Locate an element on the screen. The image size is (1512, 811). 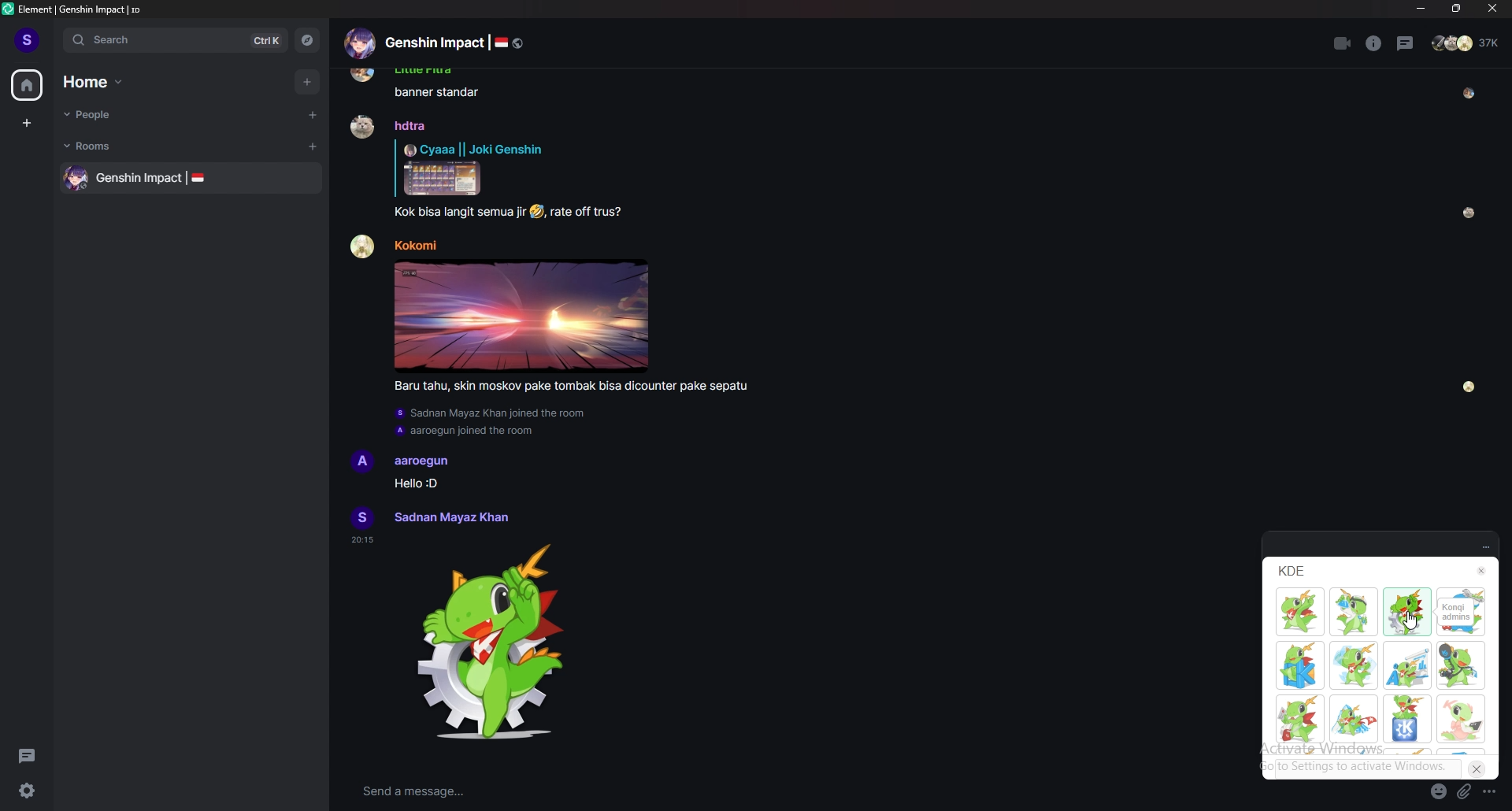
profile is located at coordinates (28, 39).